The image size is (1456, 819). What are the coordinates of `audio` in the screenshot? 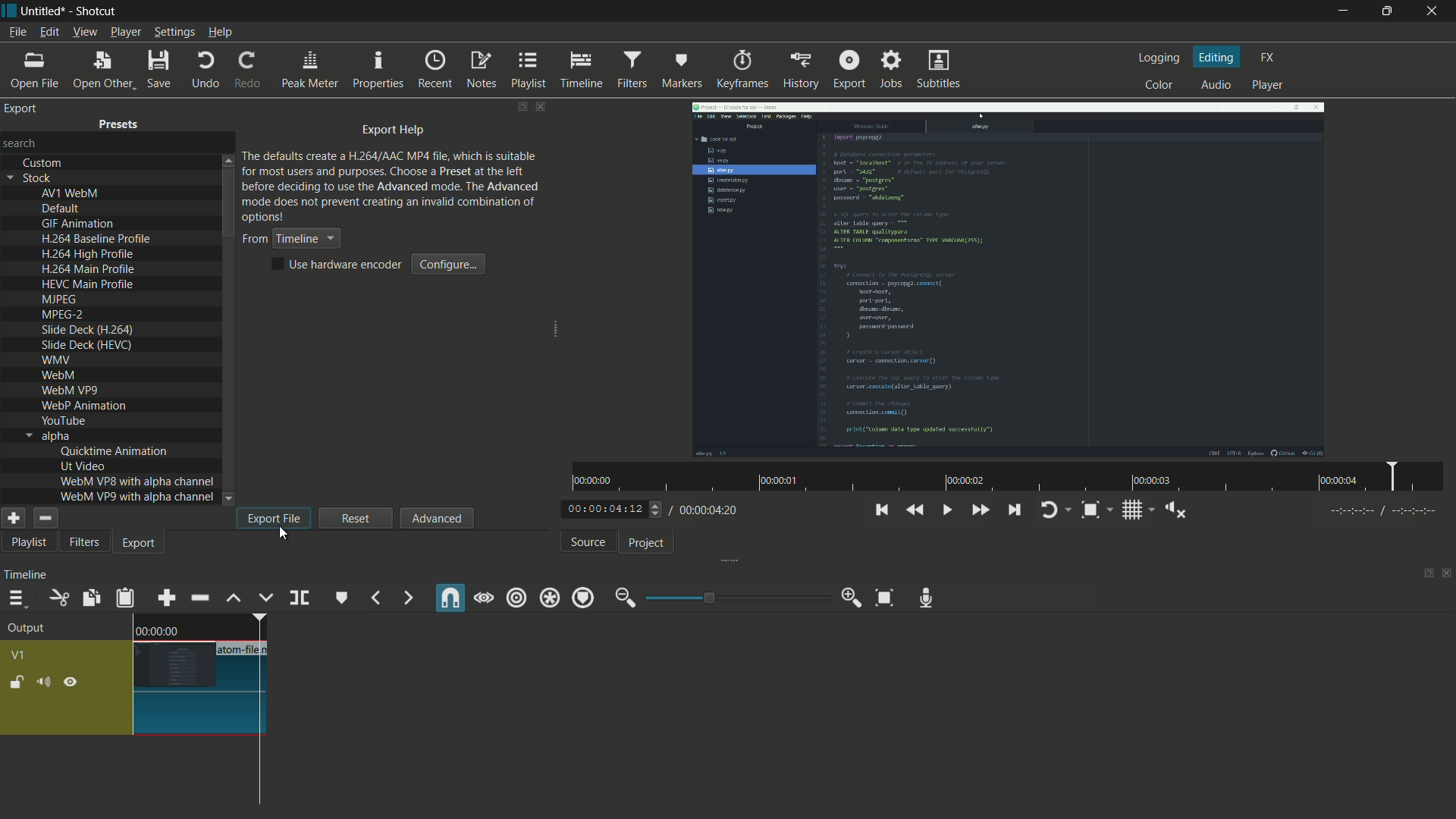 It's located at (1216, 85).